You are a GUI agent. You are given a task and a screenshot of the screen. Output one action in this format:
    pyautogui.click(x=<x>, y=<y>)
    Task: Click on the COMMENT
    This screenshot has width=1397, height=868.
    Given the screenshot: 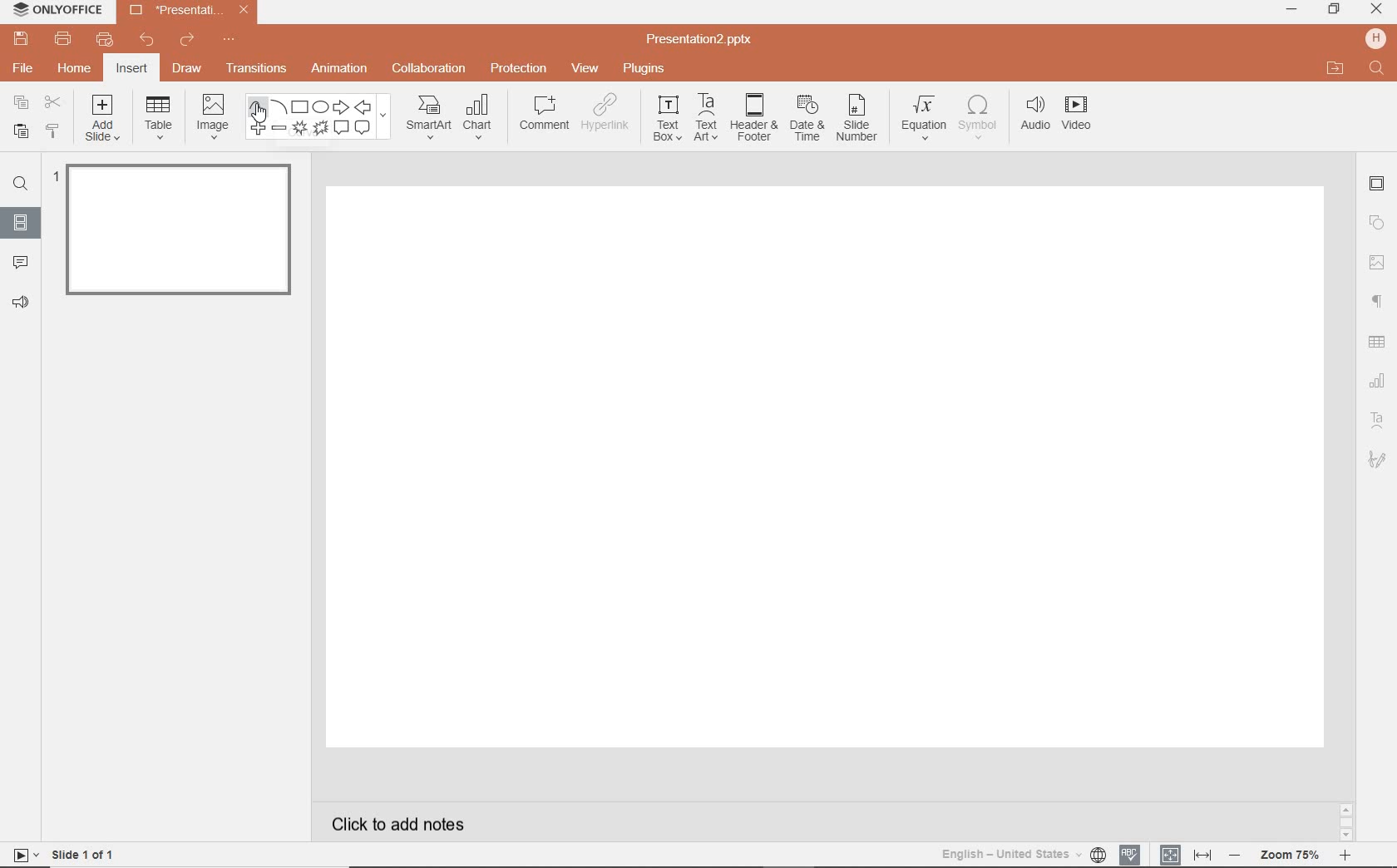 What is the action you would take?
    pyautogui.click(x=542, y=116)
    